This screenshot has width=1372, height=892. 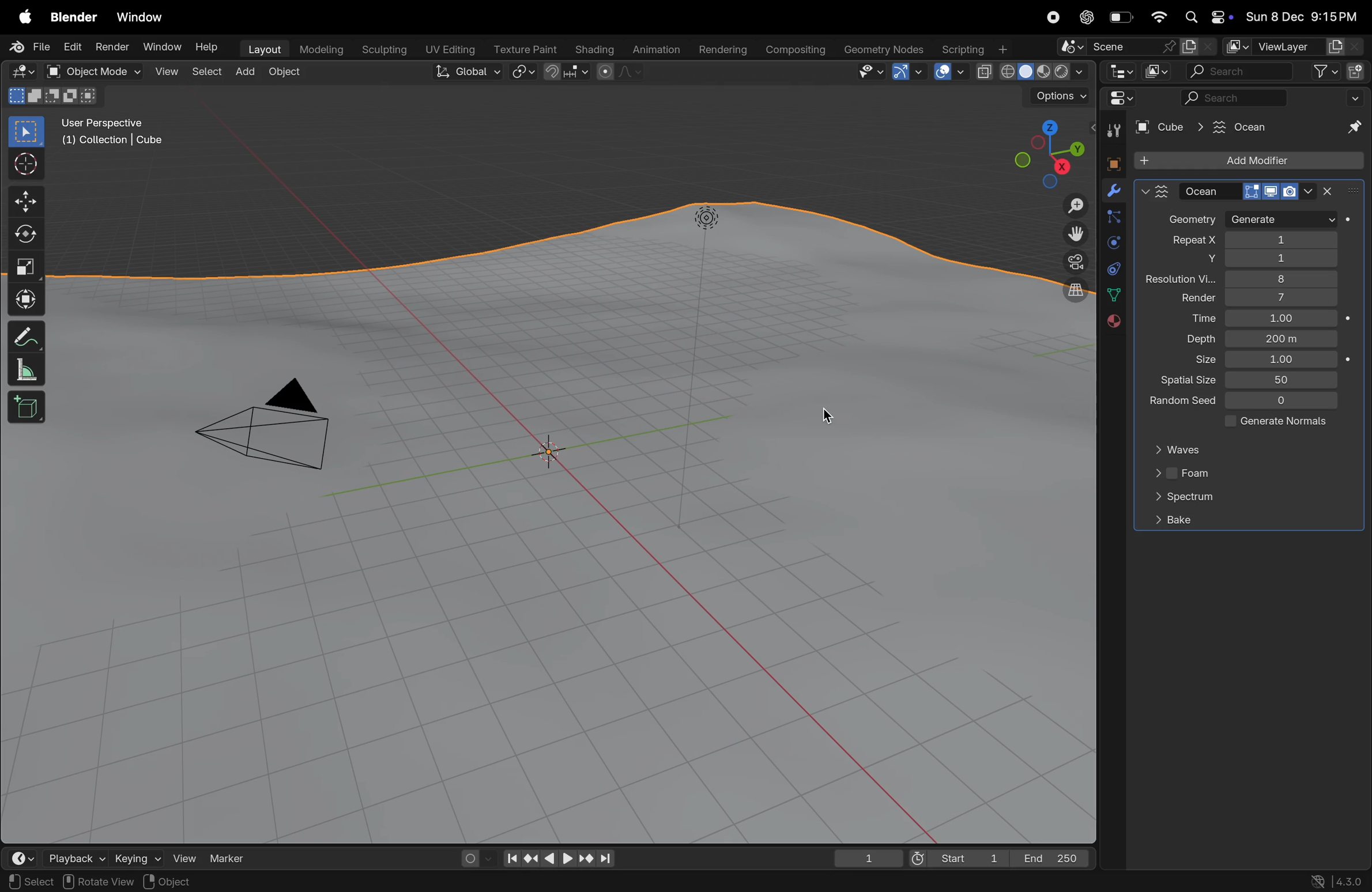 I want to click on sculpting, so click(x=385, y=48).